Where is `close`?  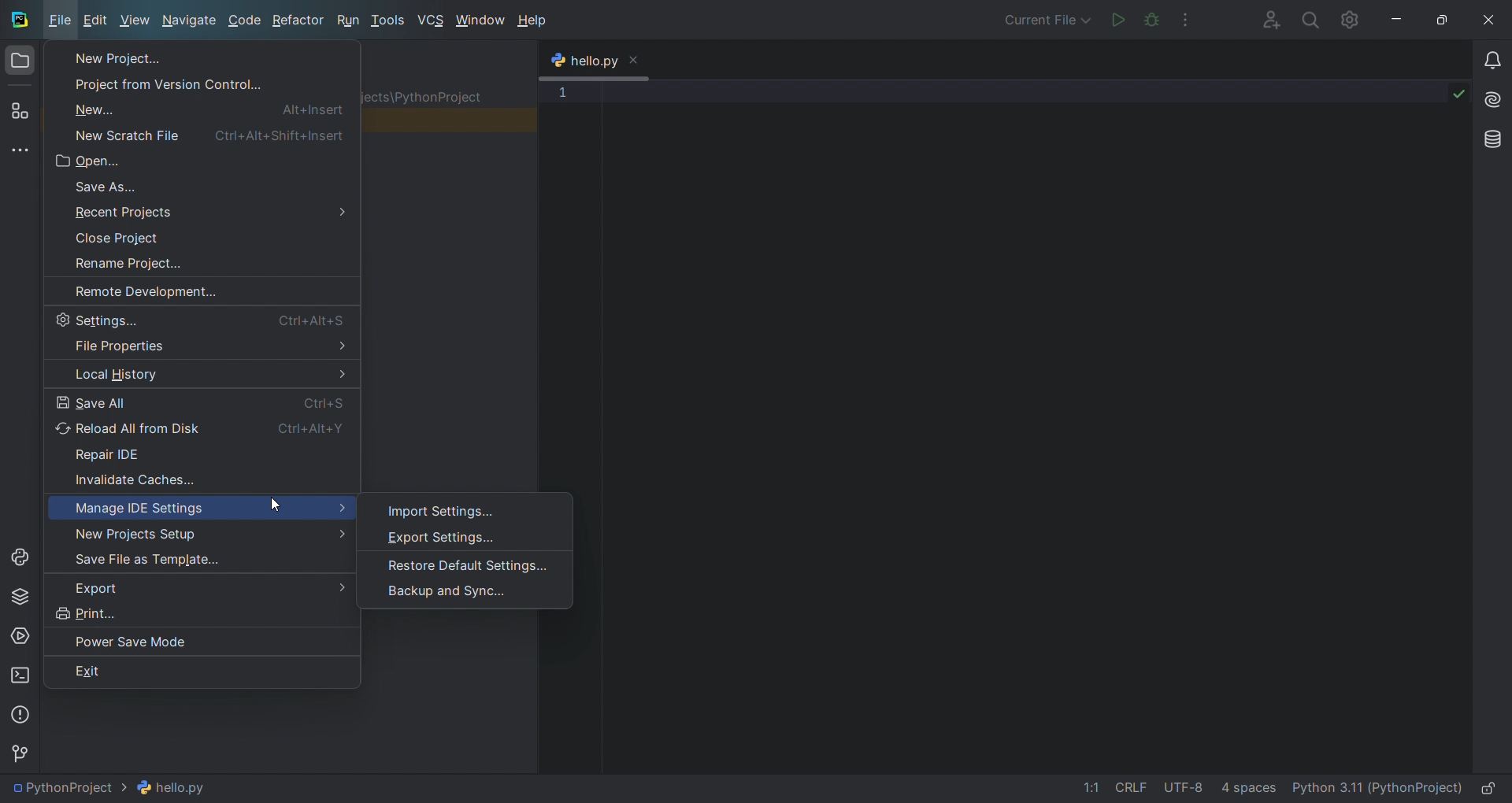
close is located at coordinates (635, 58).